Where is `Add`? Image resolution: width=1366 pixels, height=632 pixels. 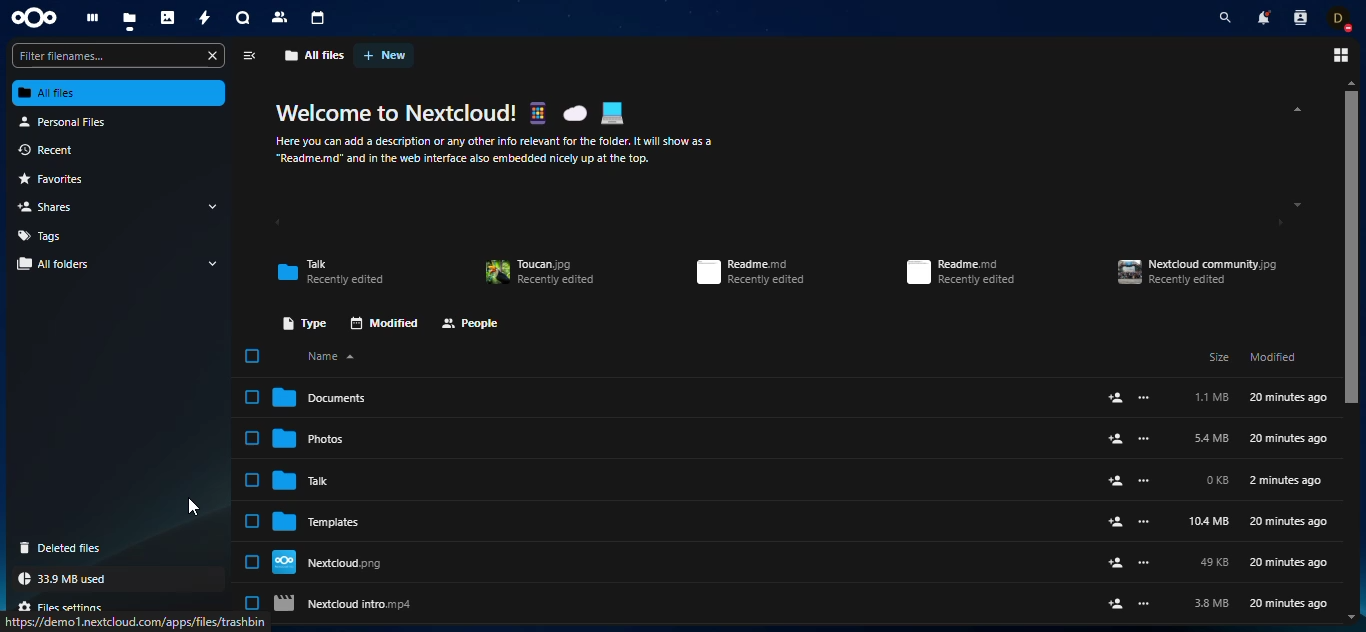 Add is located at coordinates (1130, 480).